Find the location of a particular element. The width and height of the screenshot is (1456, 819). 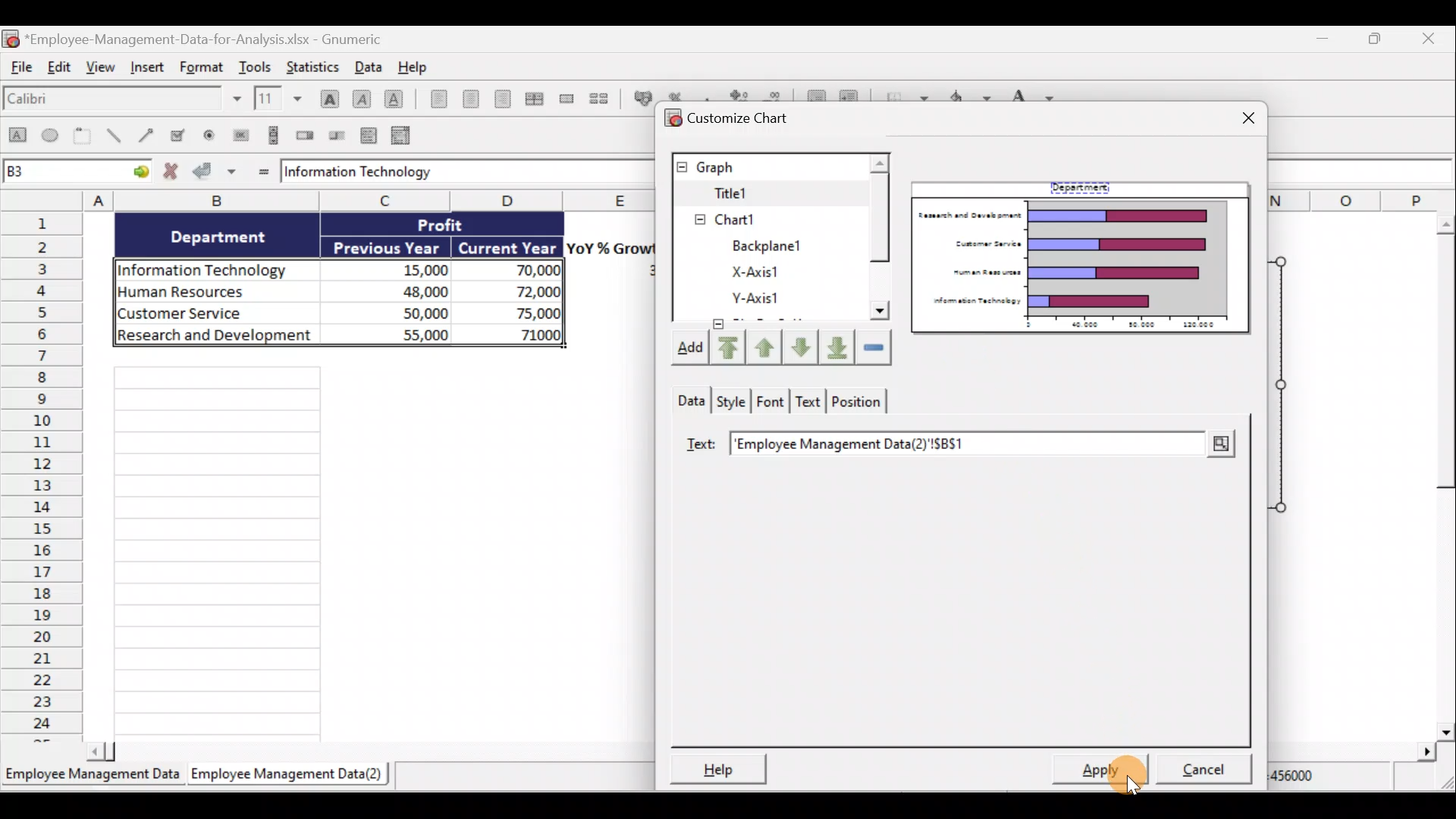

Text is located at coordinates (809, 403).